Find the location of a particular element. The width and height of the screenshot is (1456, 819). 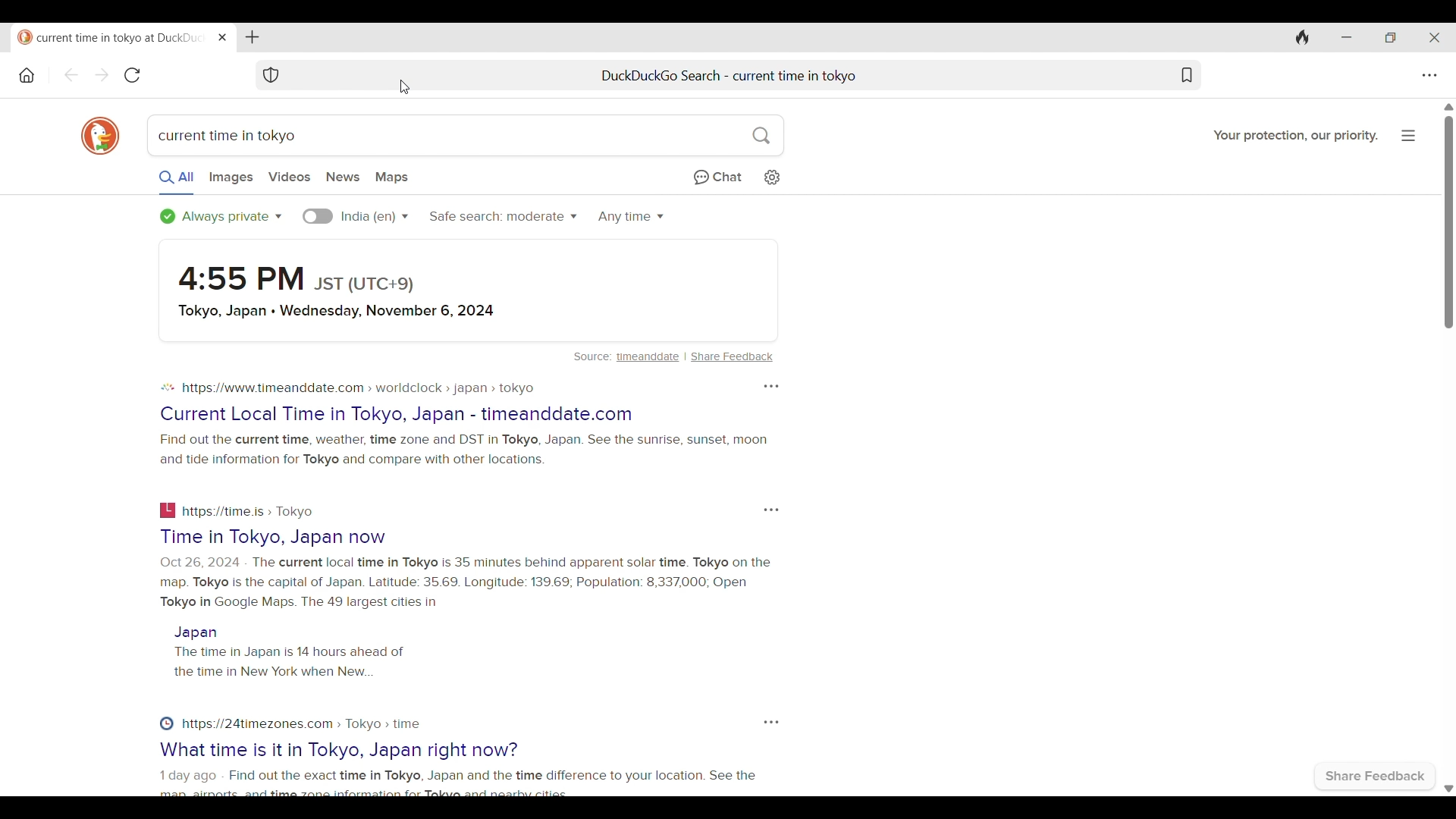

Japan is located at coordinates (196, 633).